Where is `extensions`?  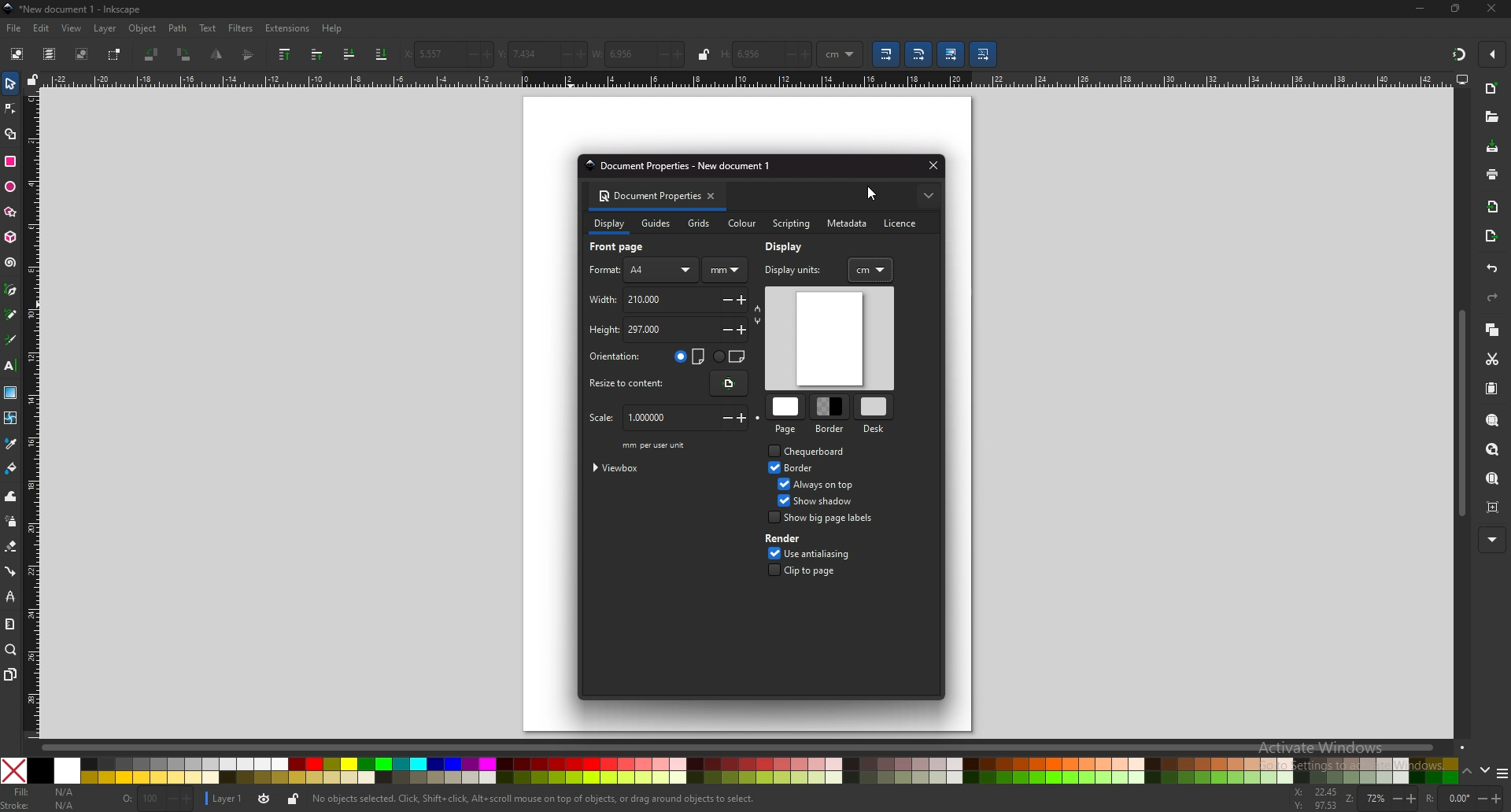
extensions is located at coordinates (286, 29).